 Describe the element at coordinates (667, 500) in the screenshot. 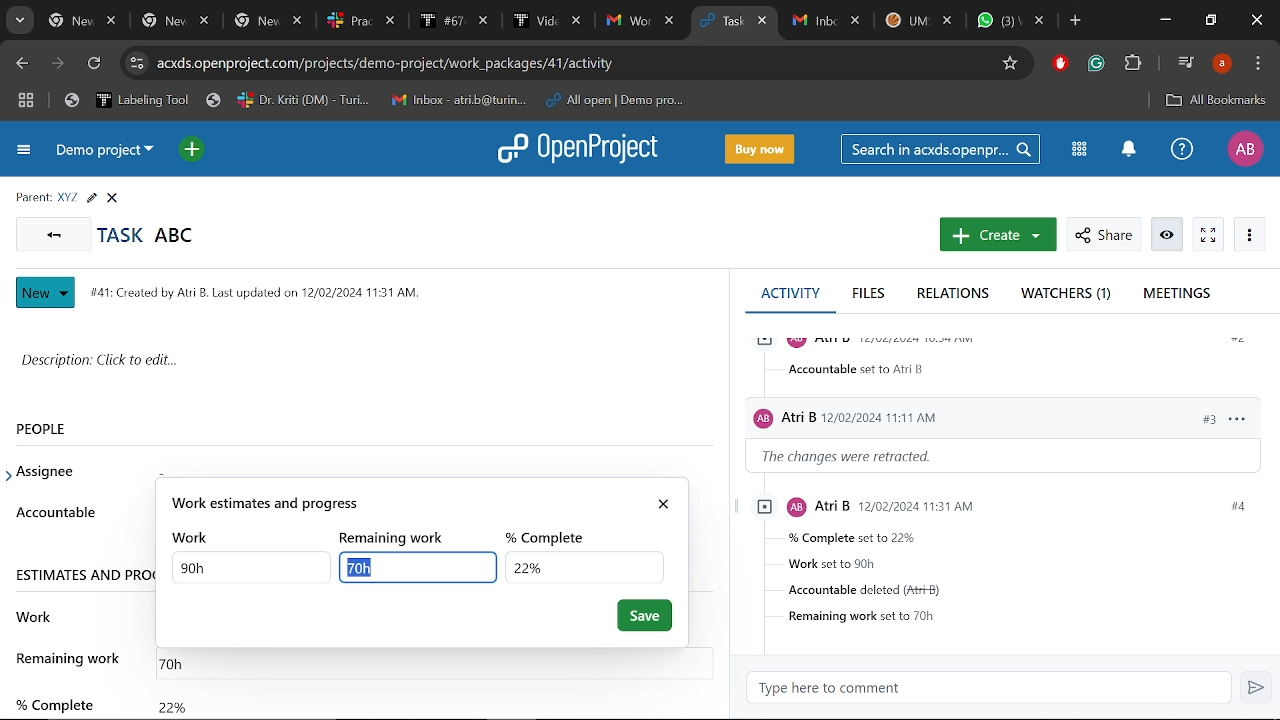

I see `close` at that location.